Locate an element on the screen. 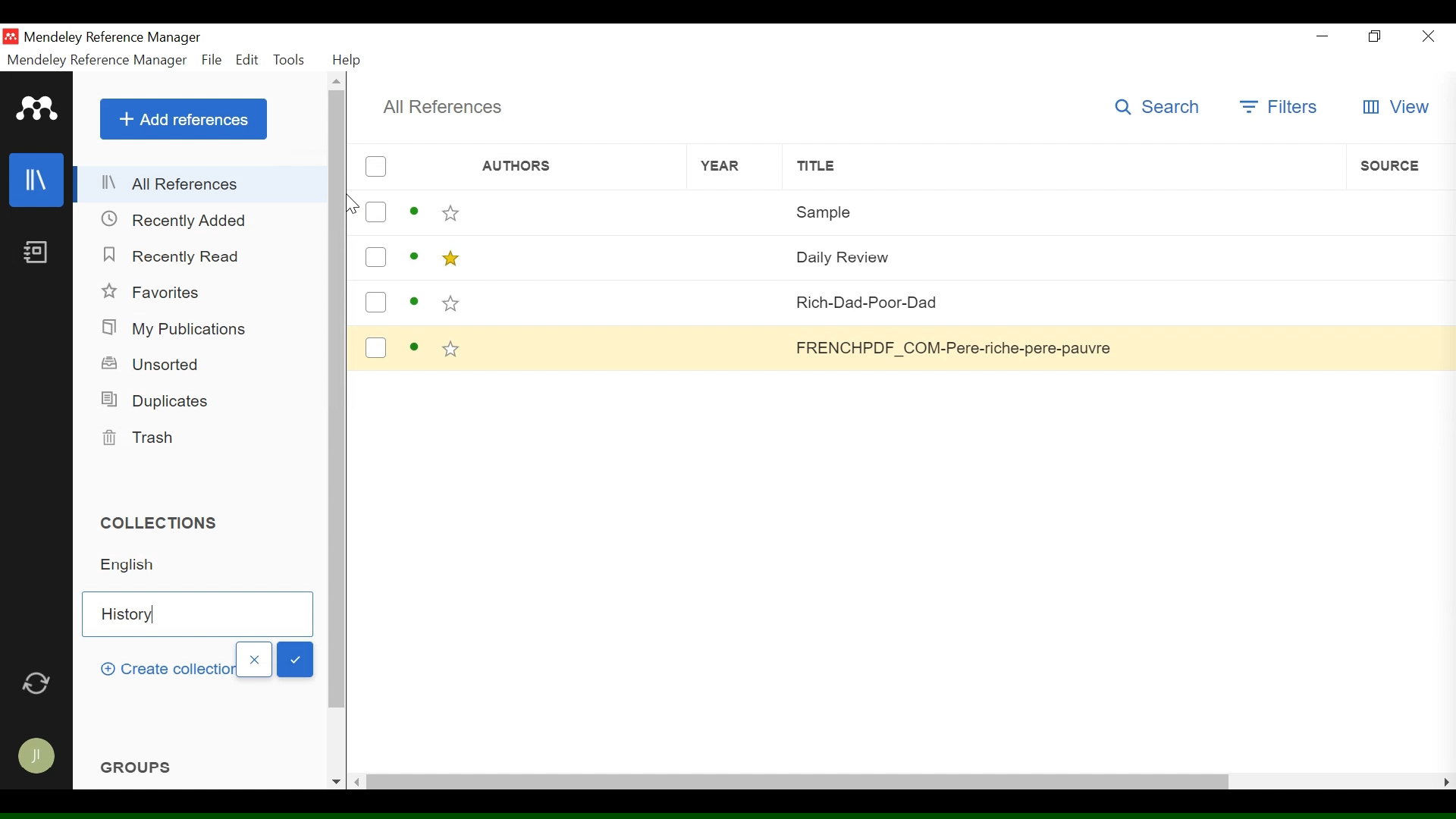  Groups is located at coordinates (139, 764).